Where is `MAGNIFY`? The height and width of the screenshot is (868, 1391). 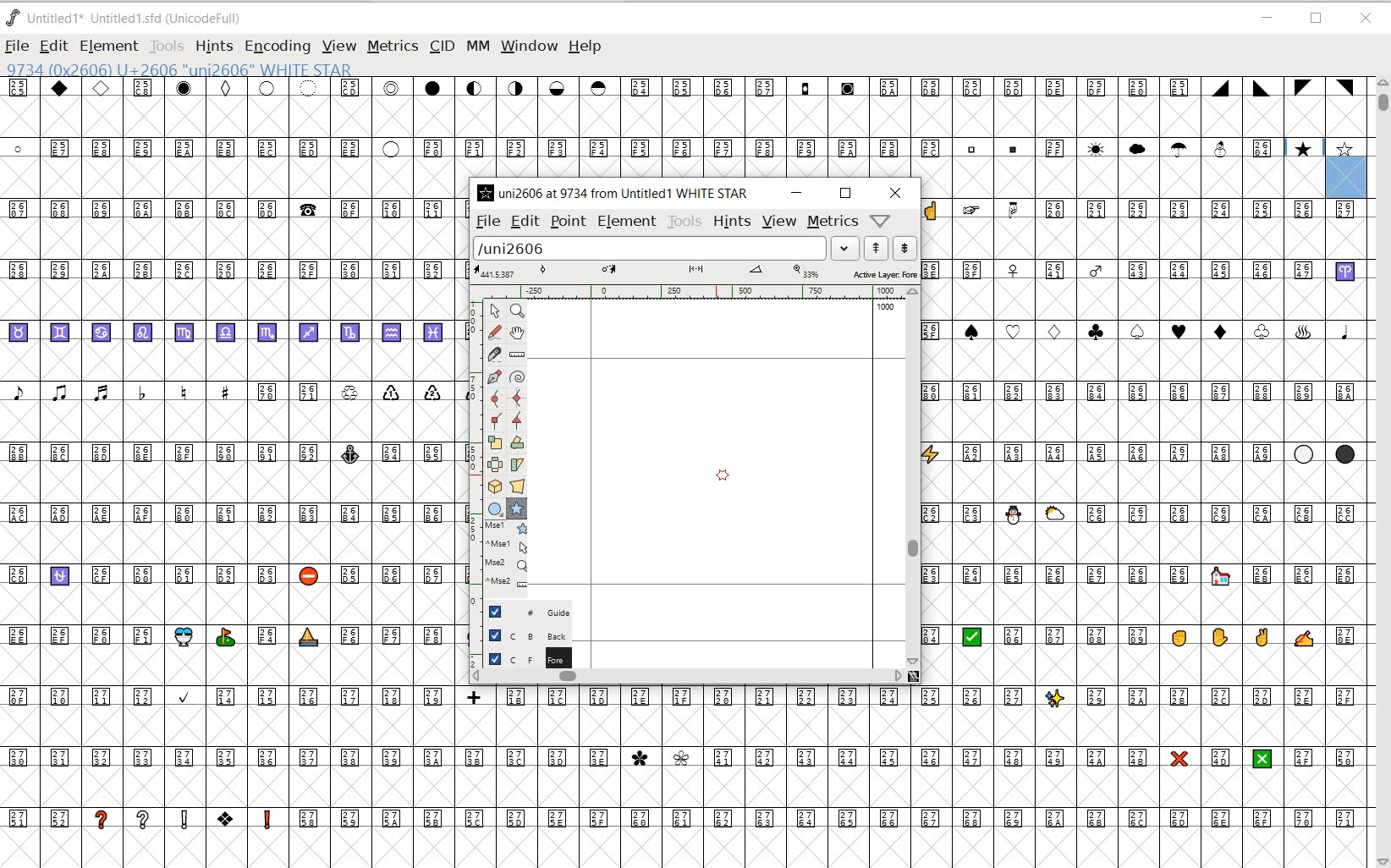
MAGNIFY is located at coordinates (517, 312).